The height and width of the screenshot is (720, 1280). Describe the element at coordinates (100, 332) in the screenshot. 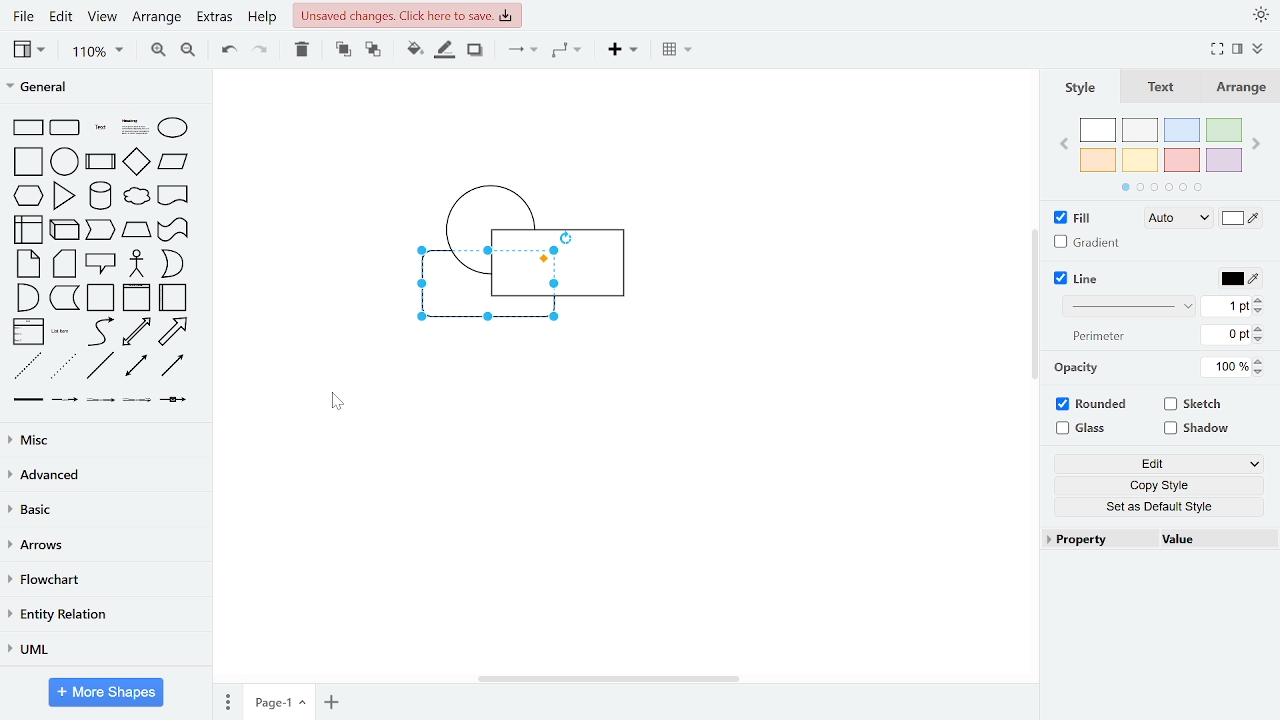

I see `curve` at that location.